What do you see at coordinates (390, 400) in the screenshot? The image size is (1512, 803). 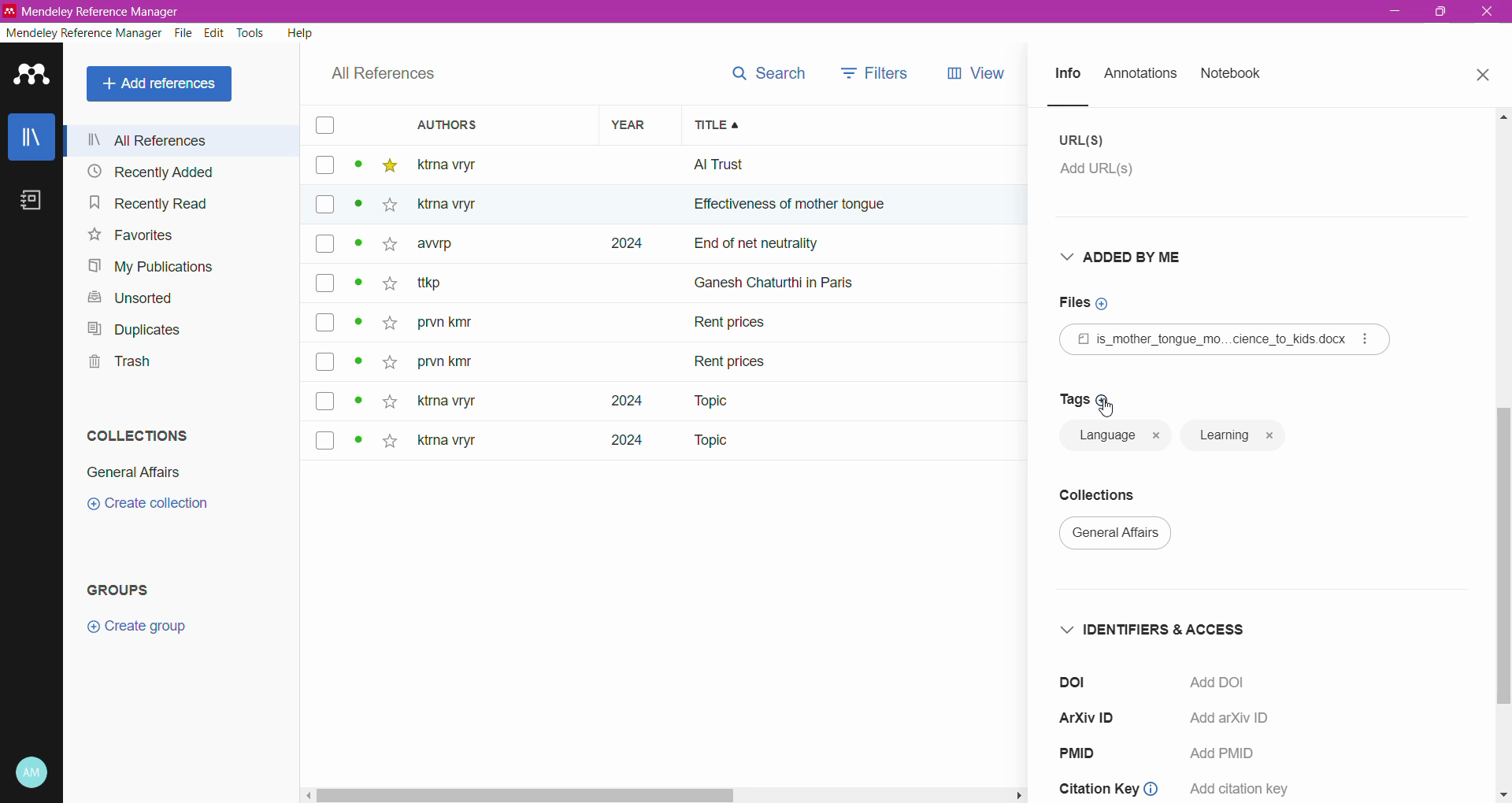 I see `star` at bounding box center [390, 400].